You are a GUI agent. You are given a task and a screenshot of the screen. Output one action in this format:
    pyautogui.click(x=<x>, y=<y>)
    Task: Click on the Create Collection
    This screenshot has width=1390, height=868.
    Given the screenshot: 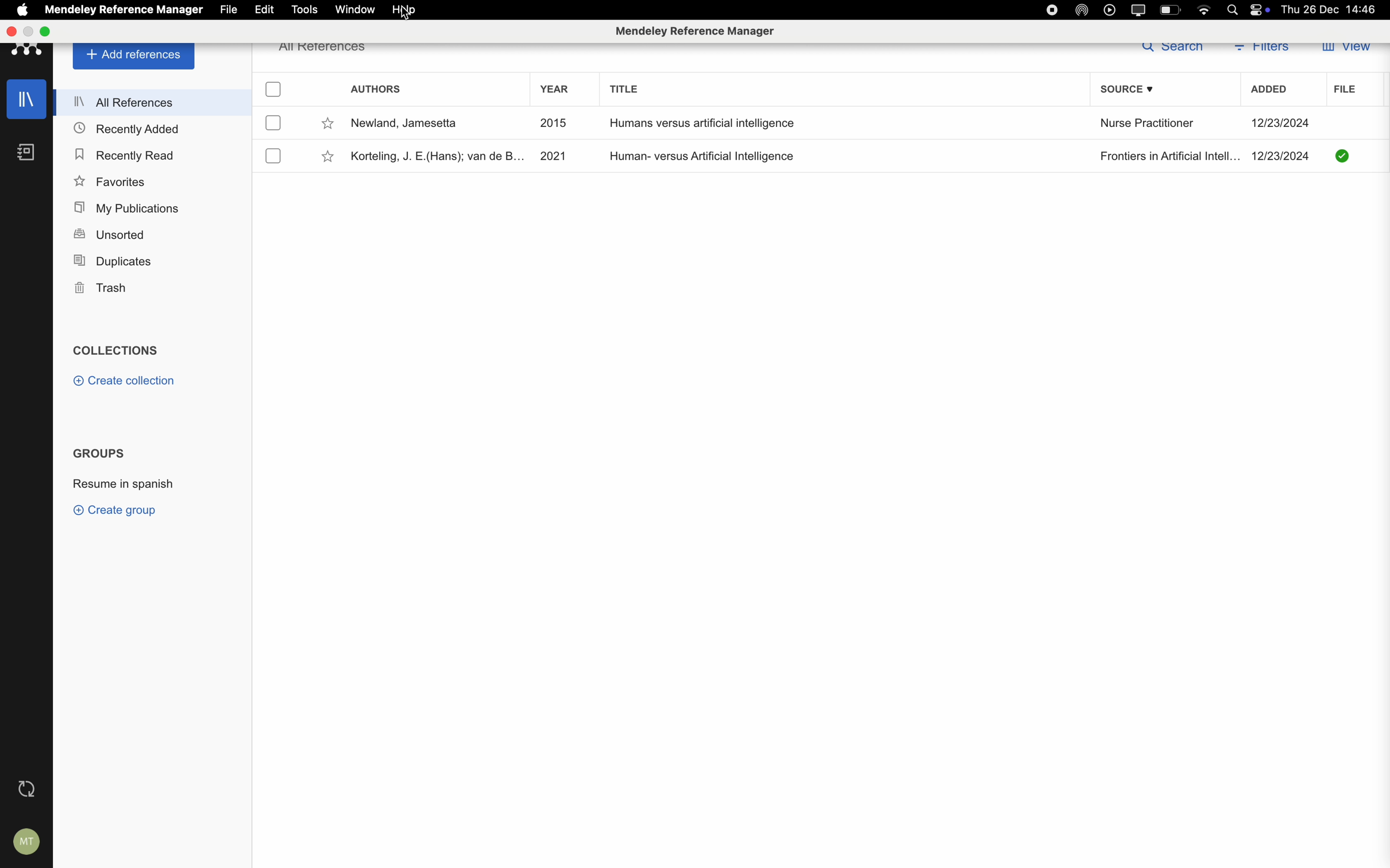 What is the action you would take?
    pyautogui.click(x=122, y=382)
    